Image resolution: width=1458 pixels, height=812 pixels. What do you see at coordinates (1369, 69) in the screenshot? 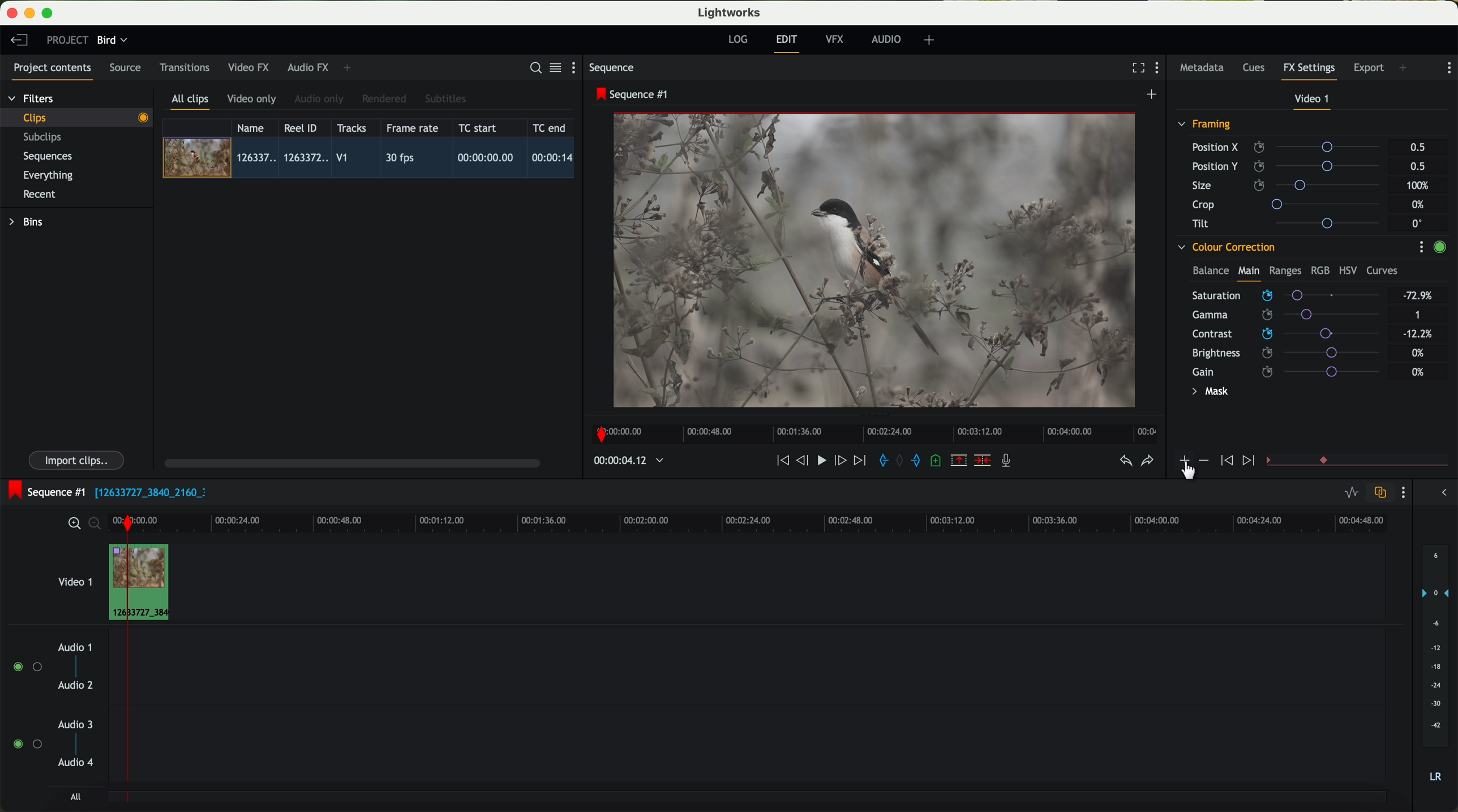
I see `export` at bounding box center [1369, 69].